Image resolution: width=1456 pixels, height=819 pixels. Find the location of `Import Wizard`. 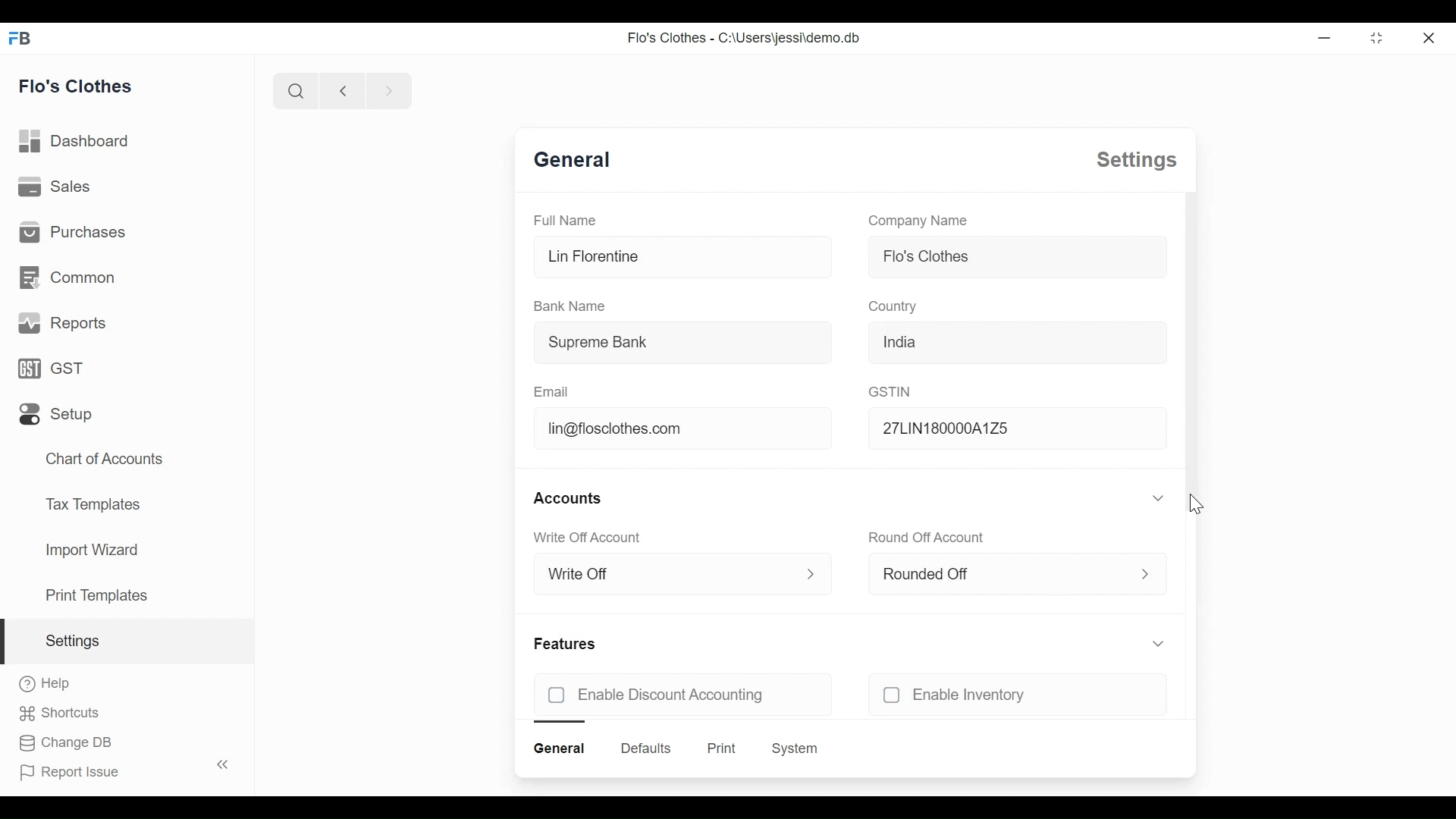

Import Wizard is located at coordinates (91, 551).